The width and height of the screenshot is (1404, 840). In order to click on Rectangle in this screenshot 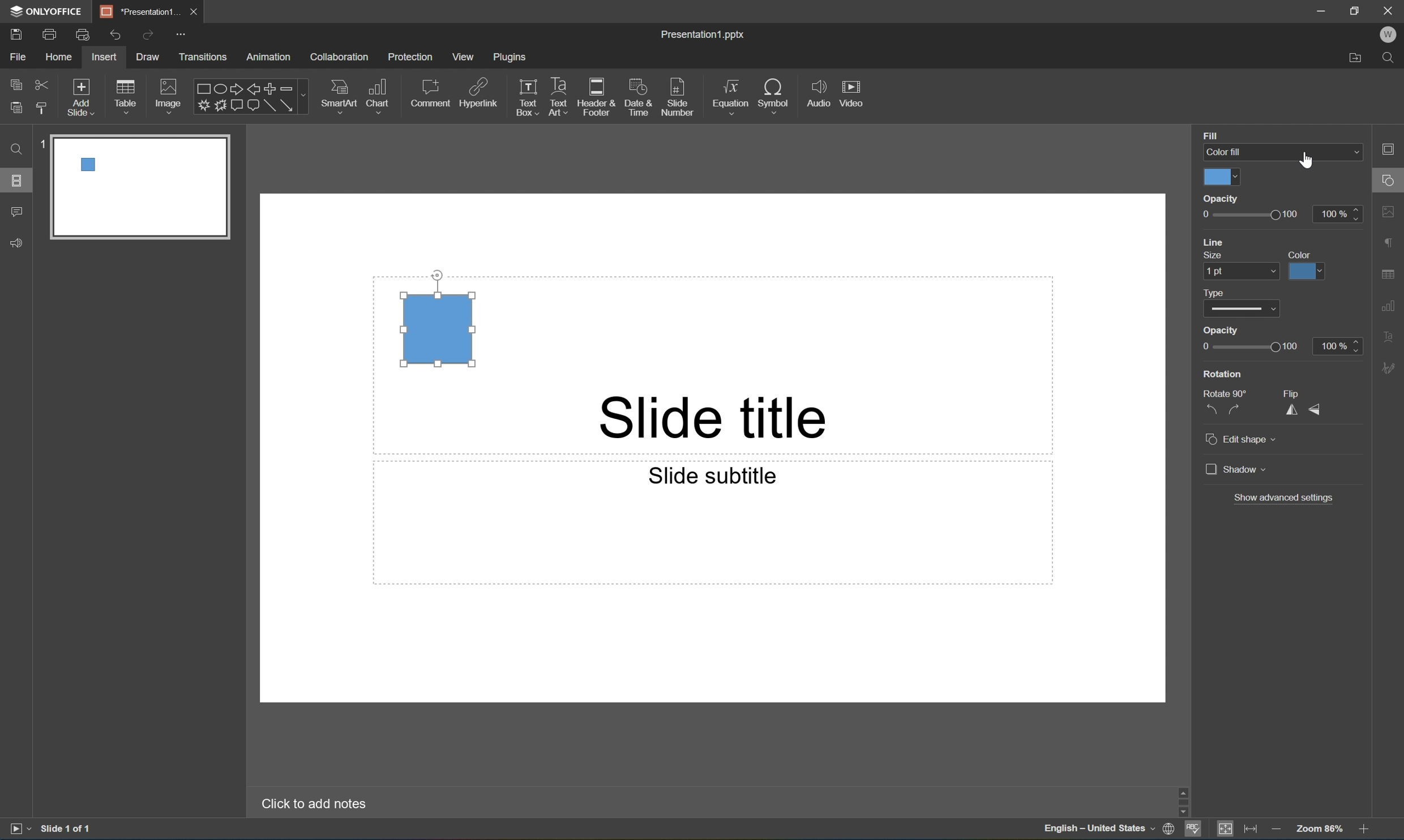, I will do `click(269, 106)`.